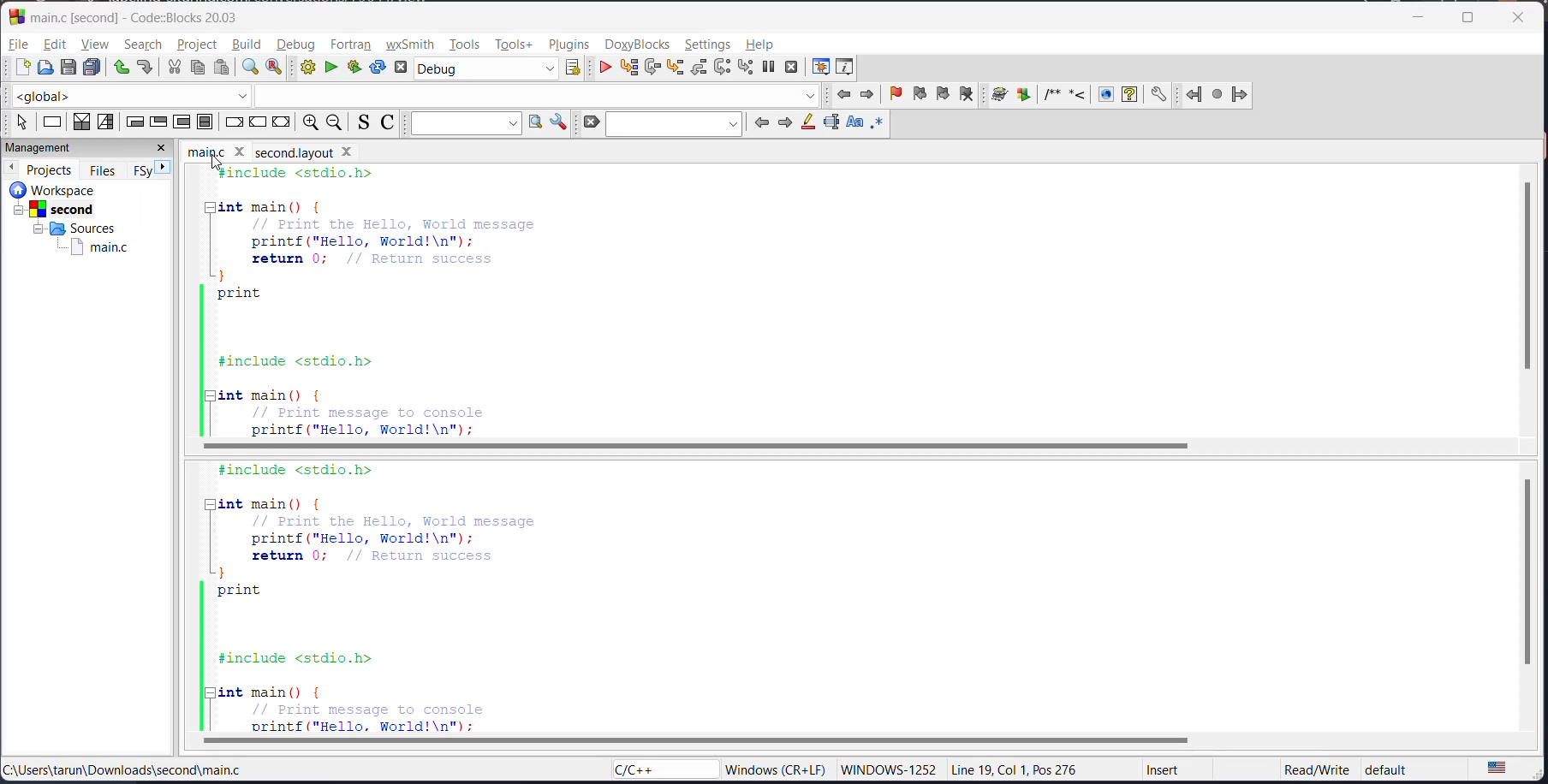  Describe the element at coordinates (54, 189) in the screenshot. I see `workspace` at that location.